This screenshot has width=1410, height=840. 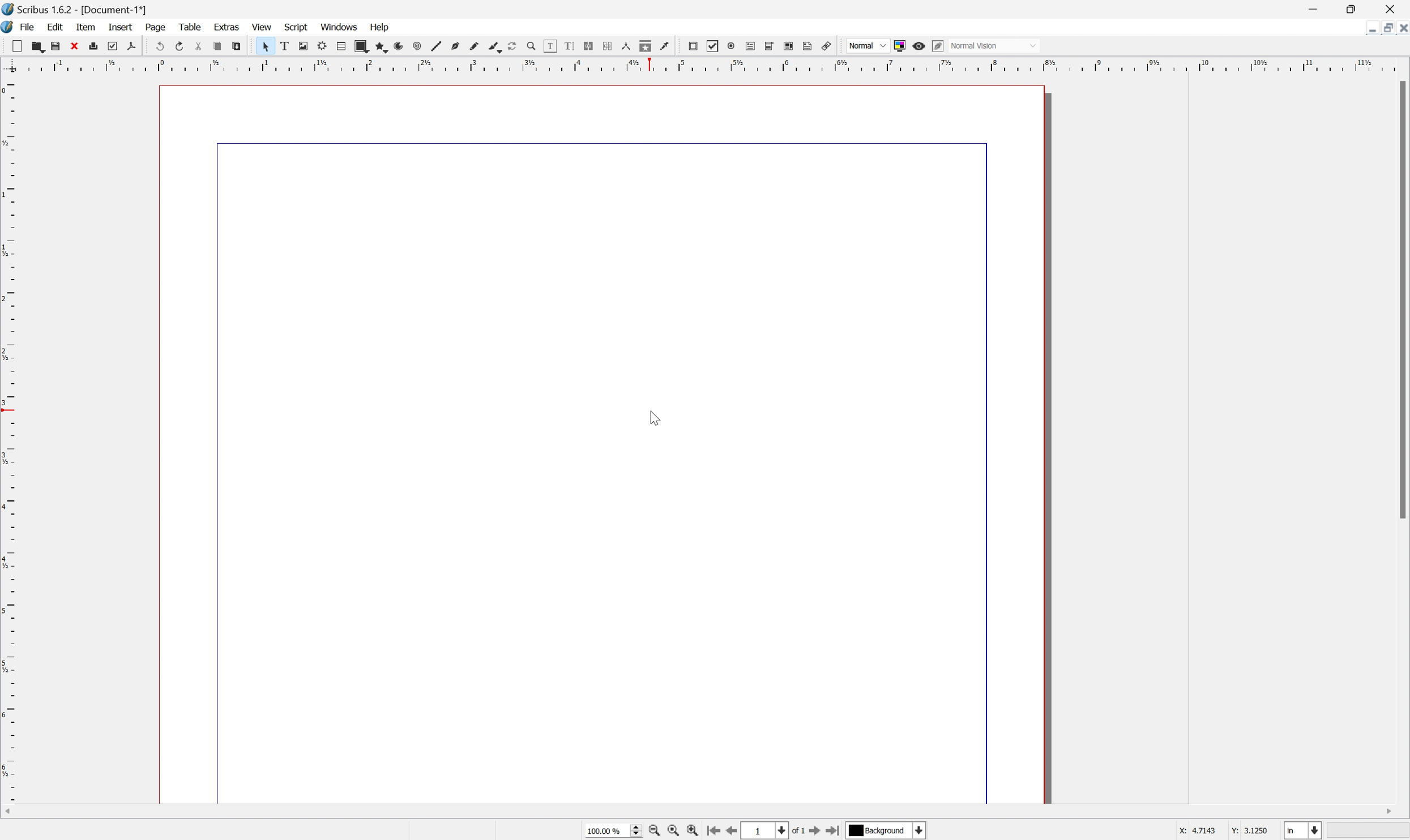 I want to click on Text annotation, so click(x=807, y=45).